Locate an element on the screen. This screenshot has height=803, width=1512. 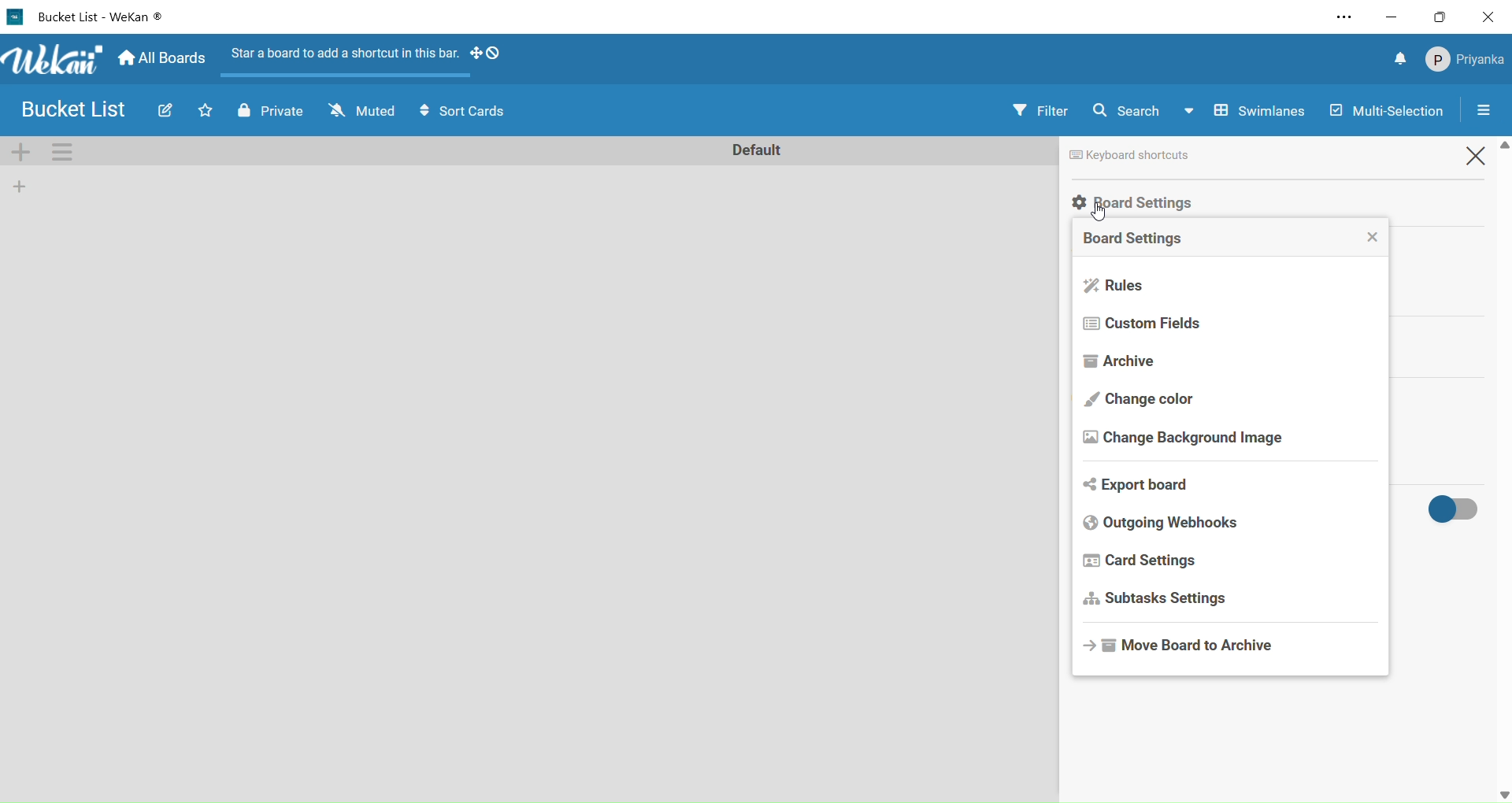
show desktop drag handles is located at coordinates (491, 54).